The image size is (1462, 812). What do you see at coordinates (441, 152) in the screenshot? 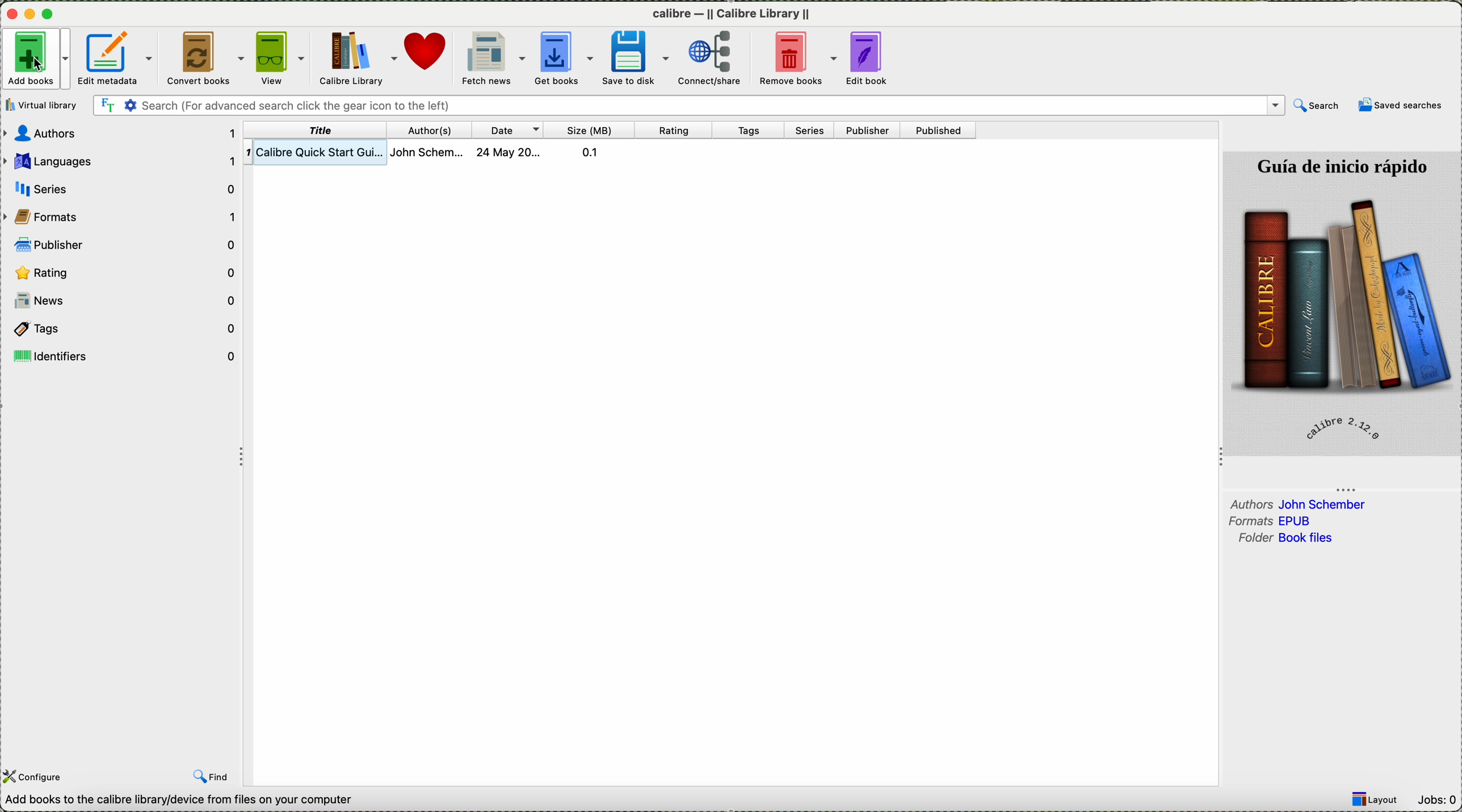
I see `Calibre Quick start guide` at bounding box center [441, 152].